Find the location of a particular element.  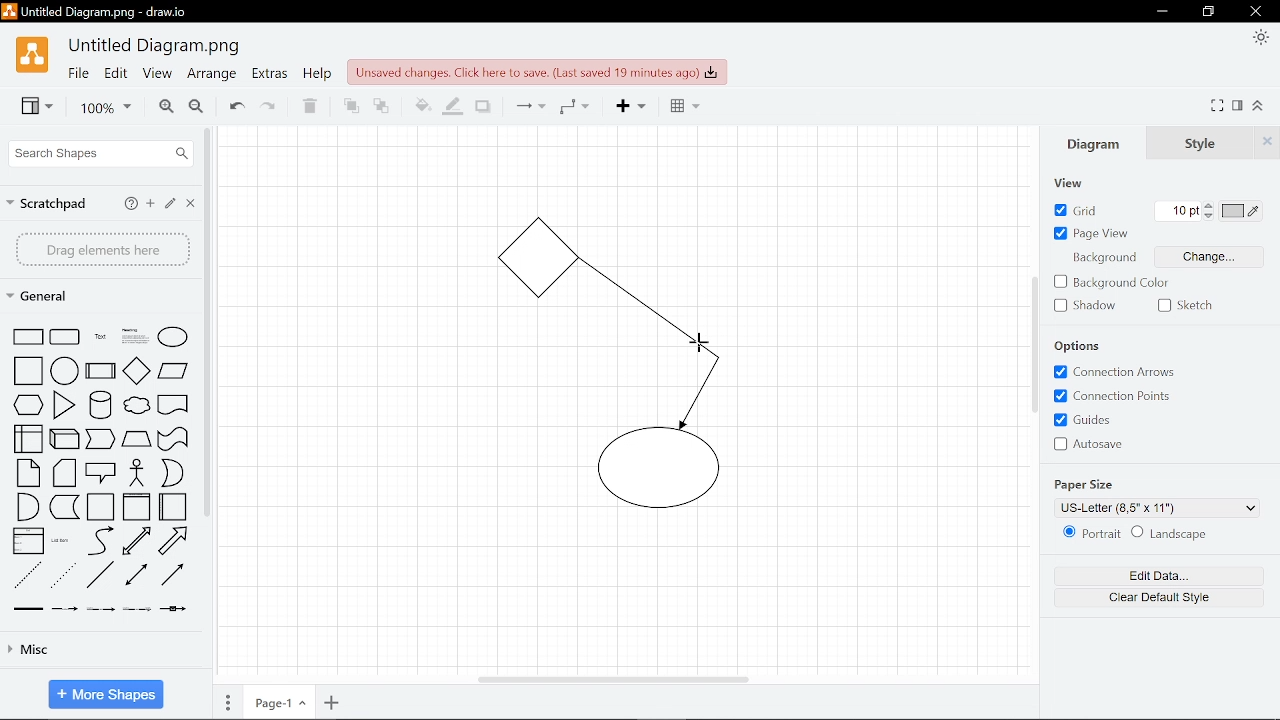

Options is located at coordinates (1083, 348).